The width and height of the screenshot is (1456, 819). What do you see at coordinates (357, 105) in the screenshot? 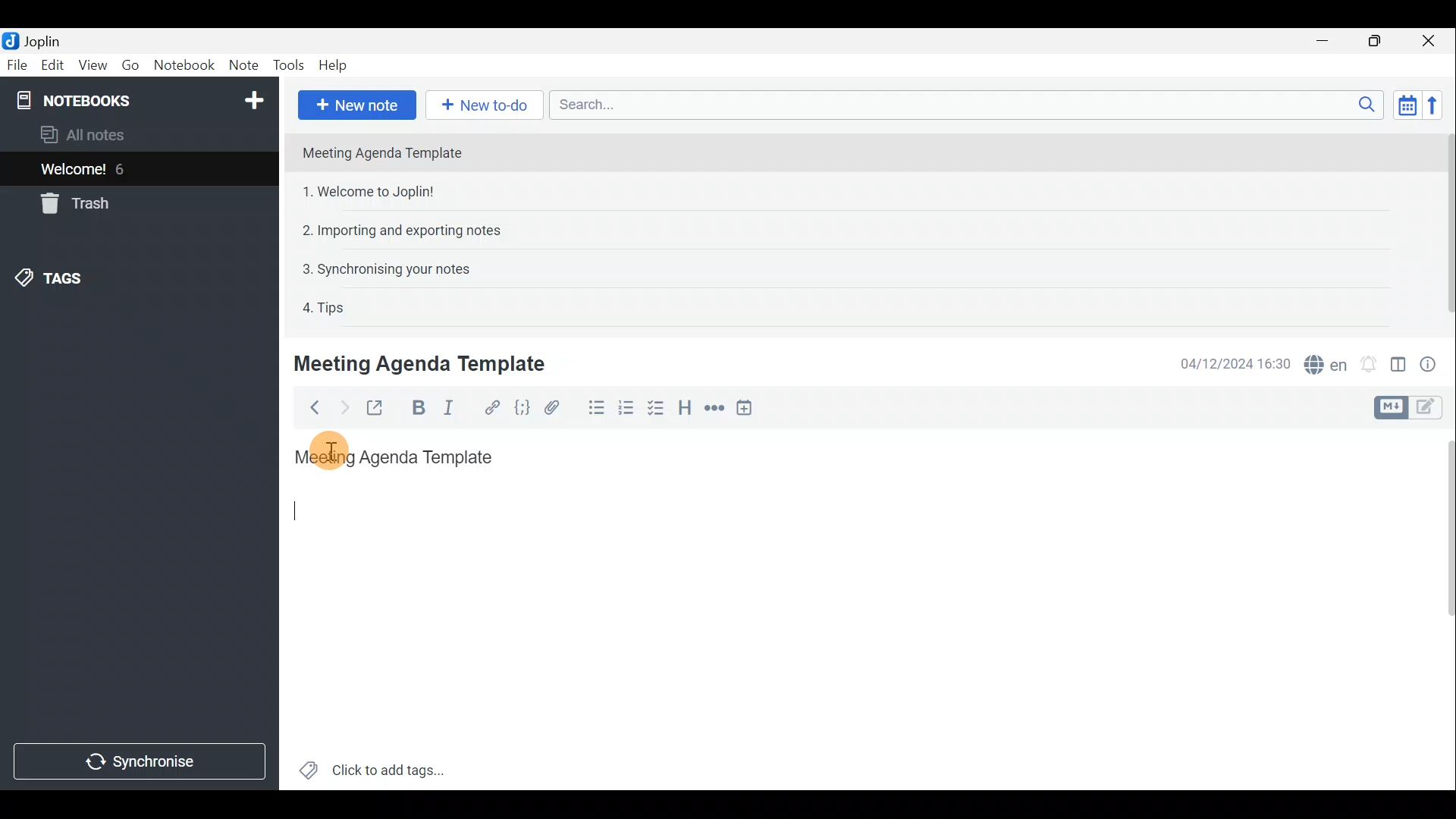
I see `New note` at bounding box center [357, 105].